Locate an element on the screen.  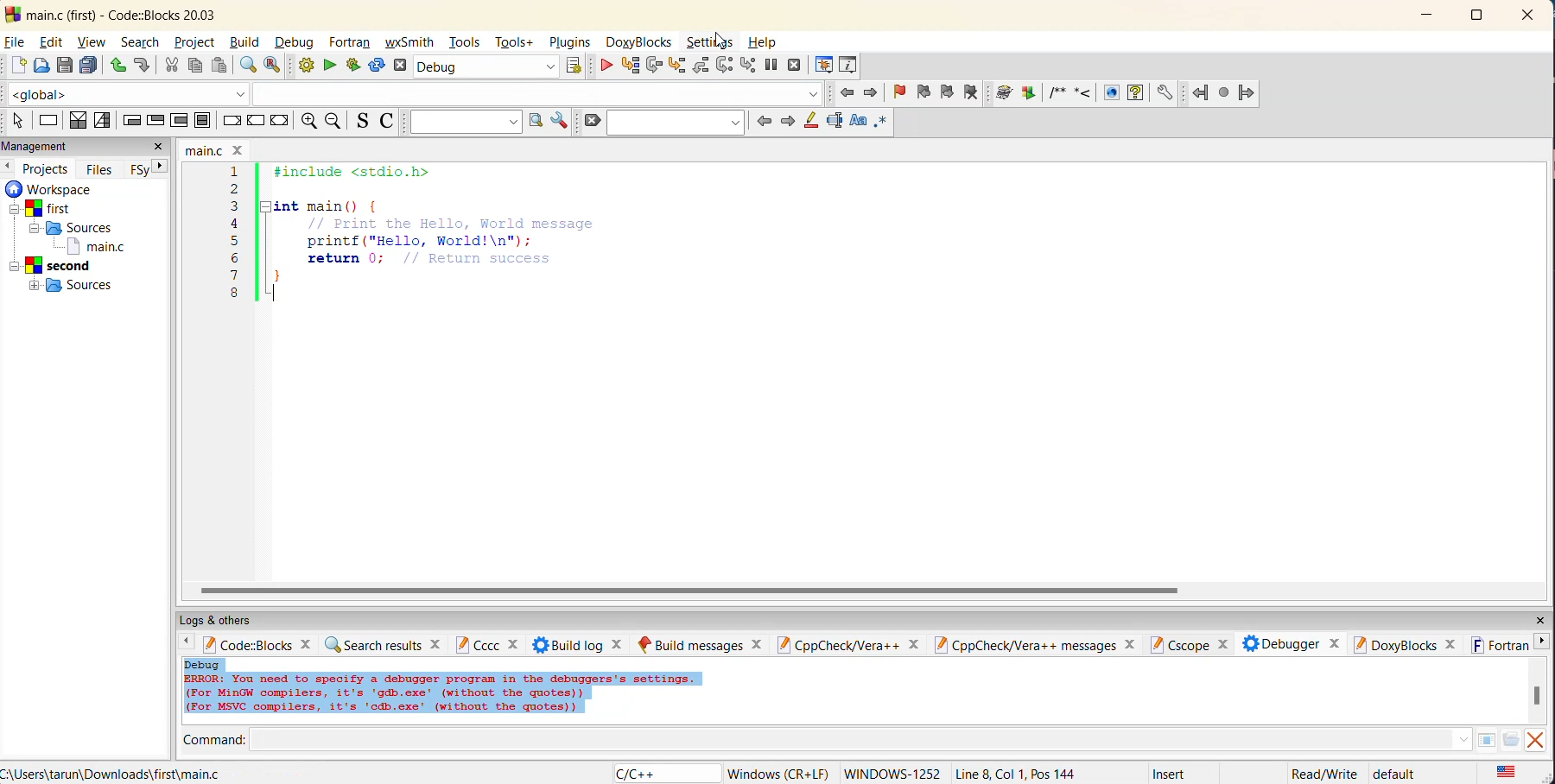
text language is located at coordinates (1509, 774).